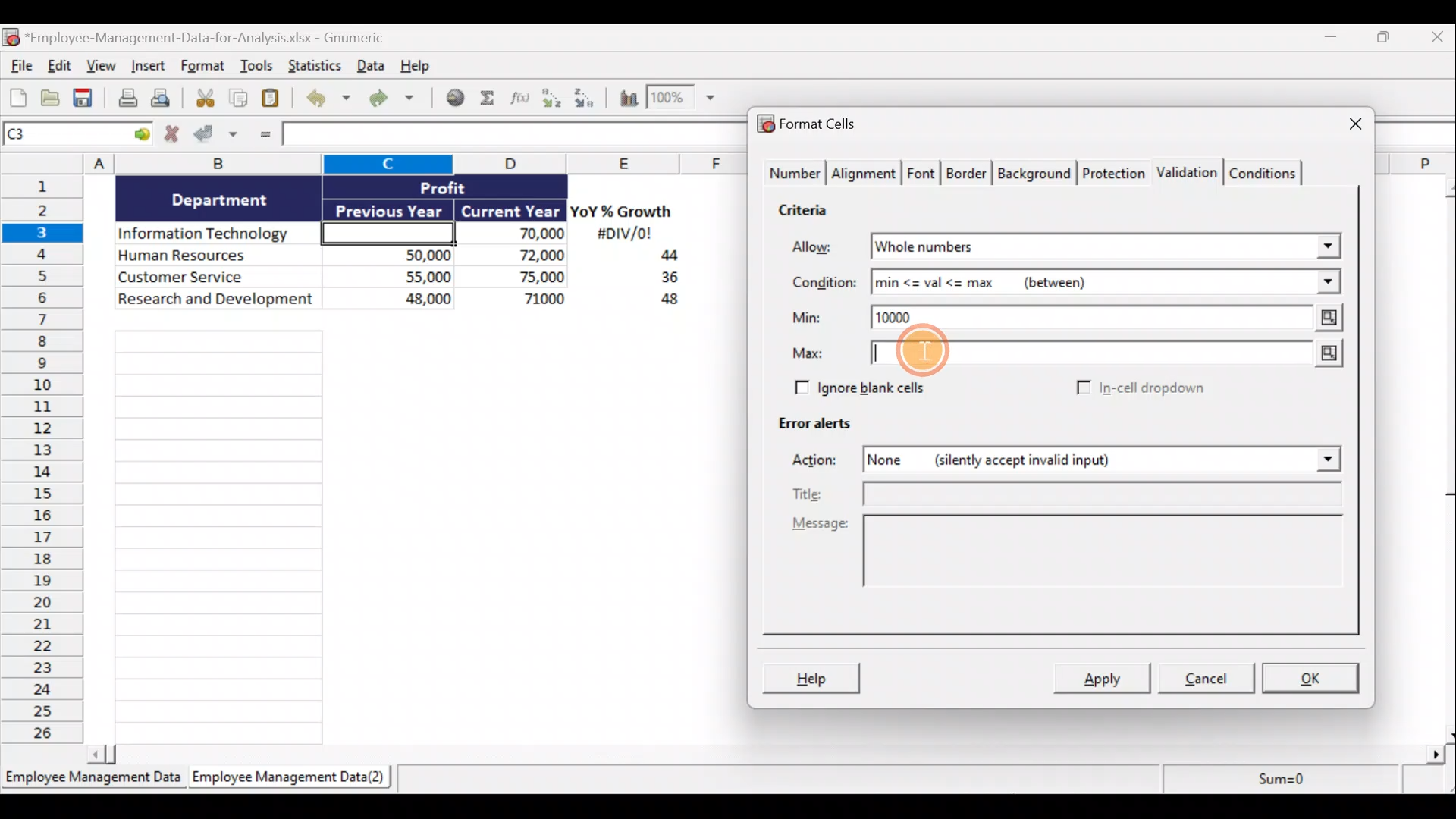 This screenshot has height=819, width=1456. Describe the element at coordinates (661, 257) in the screenshot. I see `44` at that location.